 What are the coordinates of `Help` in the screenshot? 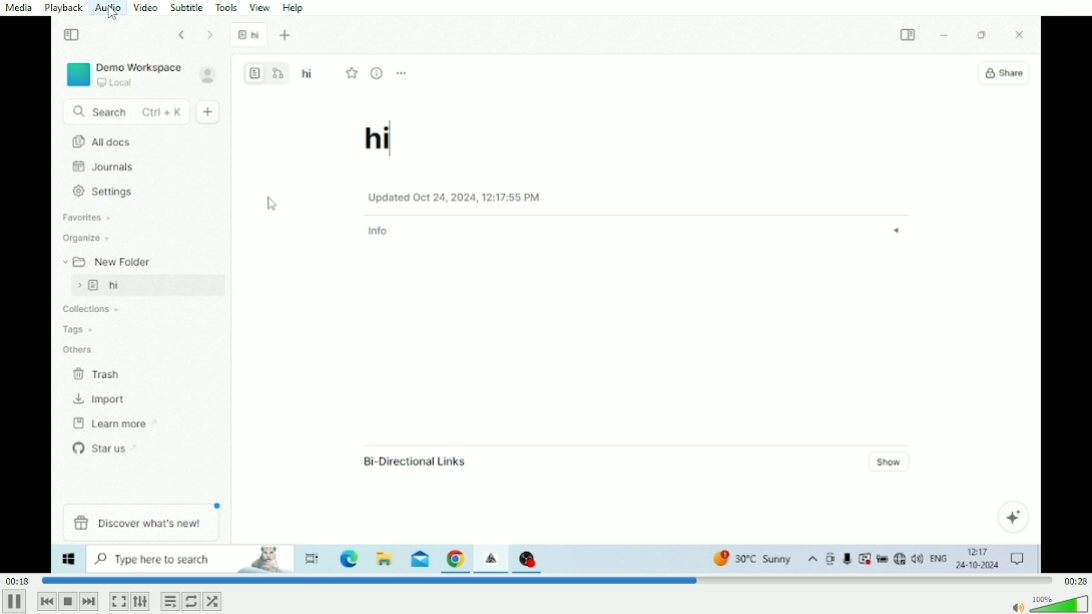 It's located at (296, 7).